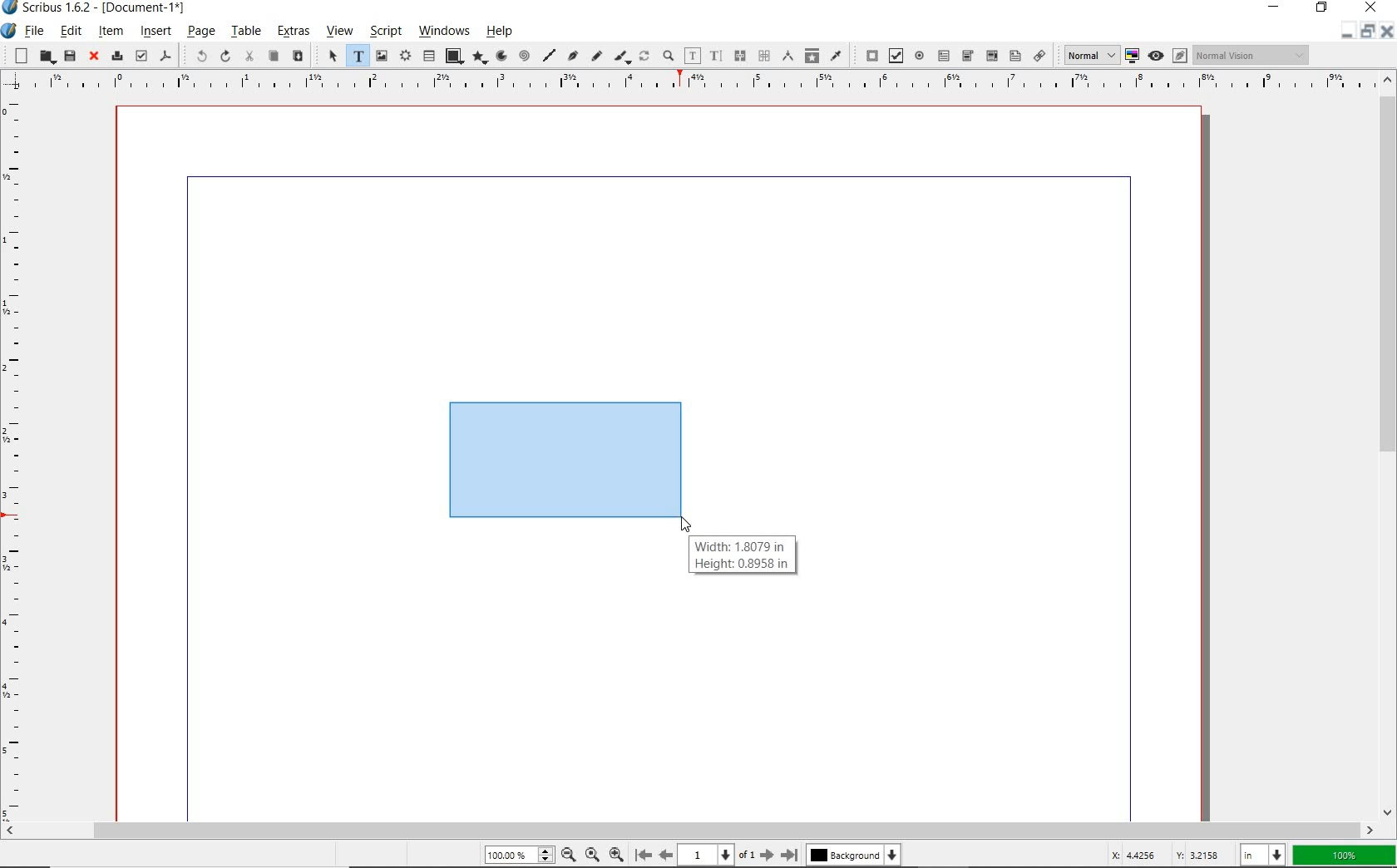 Image resolution: width=1397 pixels, height=868 pixels. I want to click on pdf list box, so click(1014, 56).